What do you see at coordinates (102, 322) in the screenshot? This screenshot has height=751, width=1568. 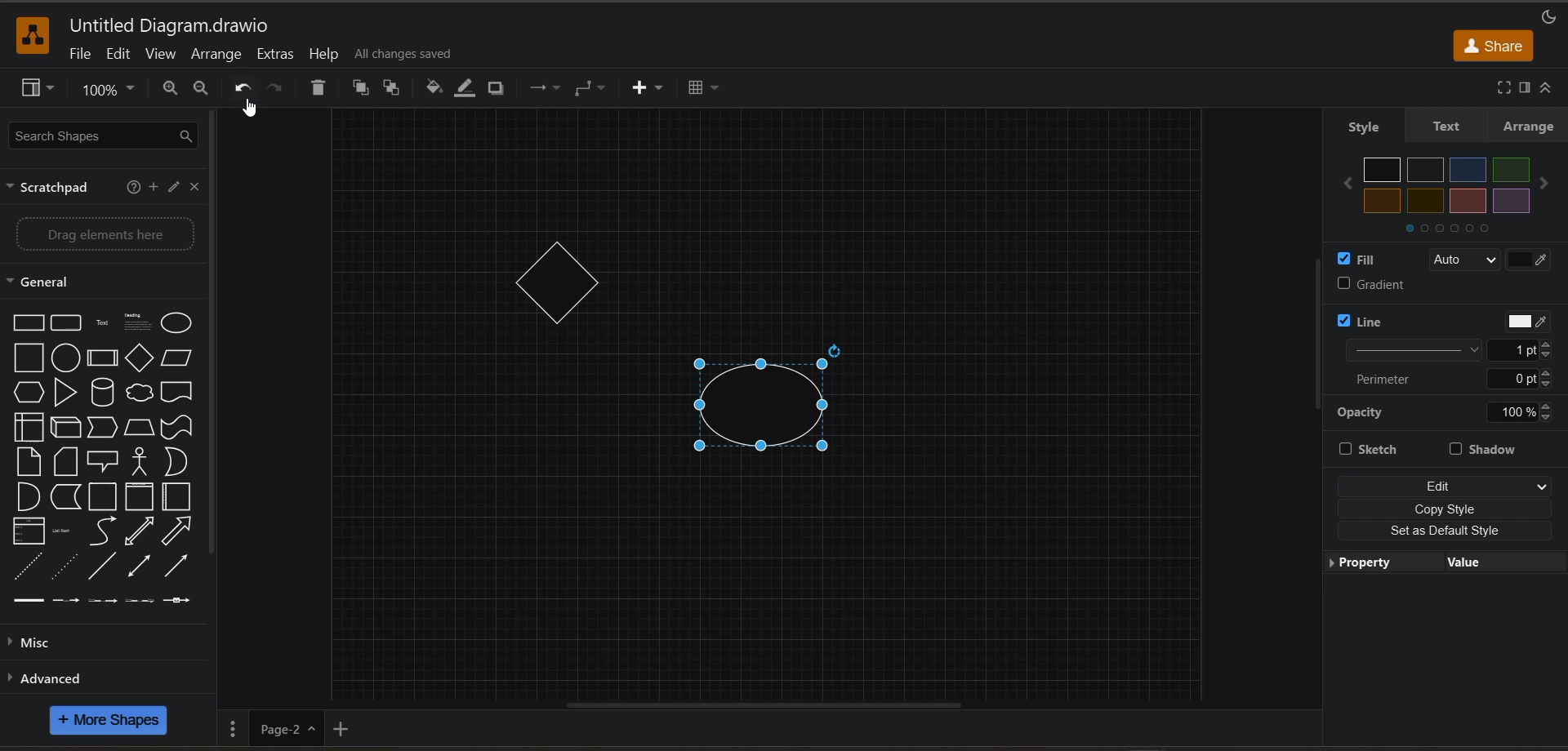 I see `Text` at bounding box center [102, 322].